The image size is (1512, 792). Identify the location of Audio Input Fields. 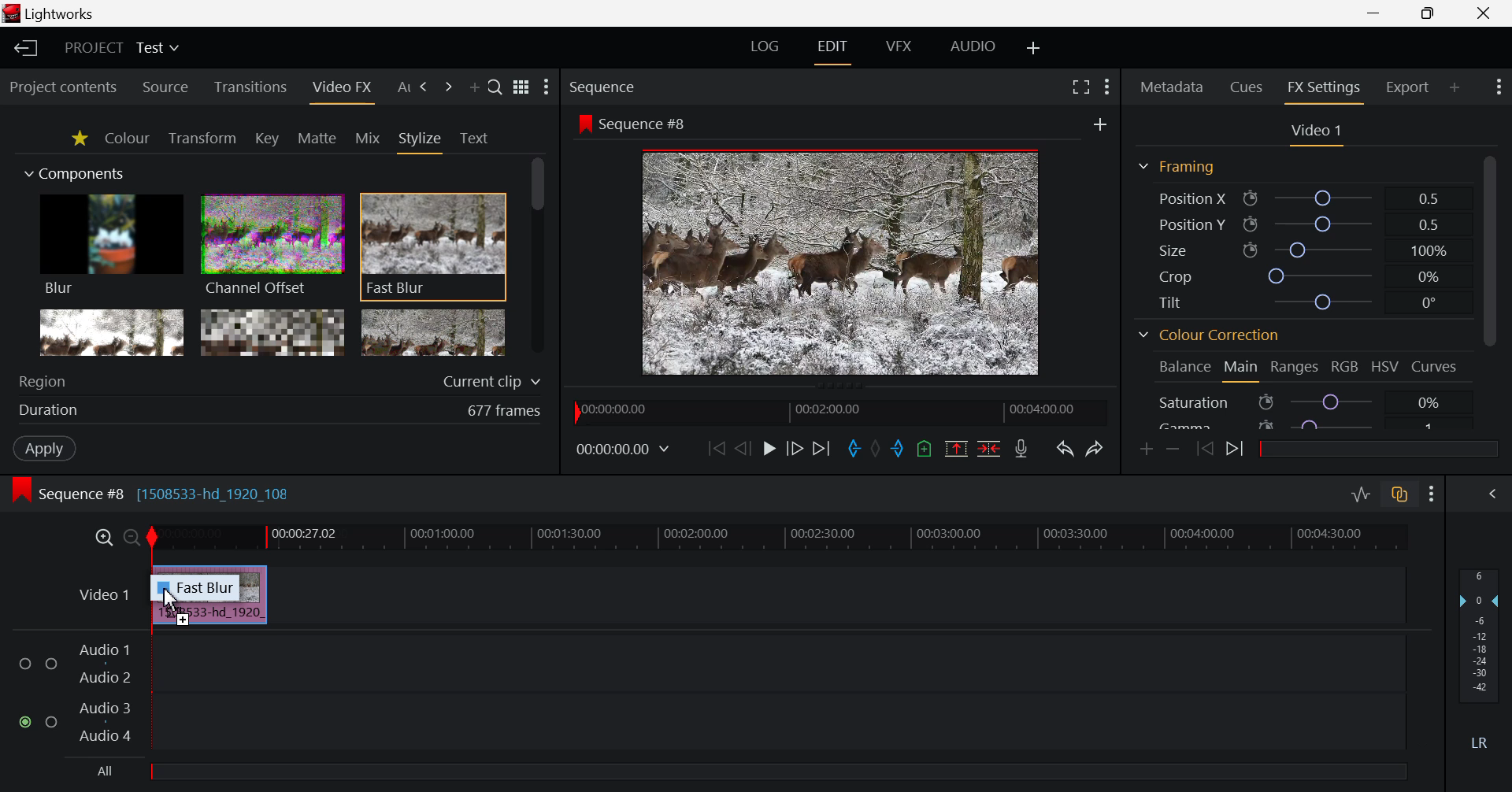
(704, 694).